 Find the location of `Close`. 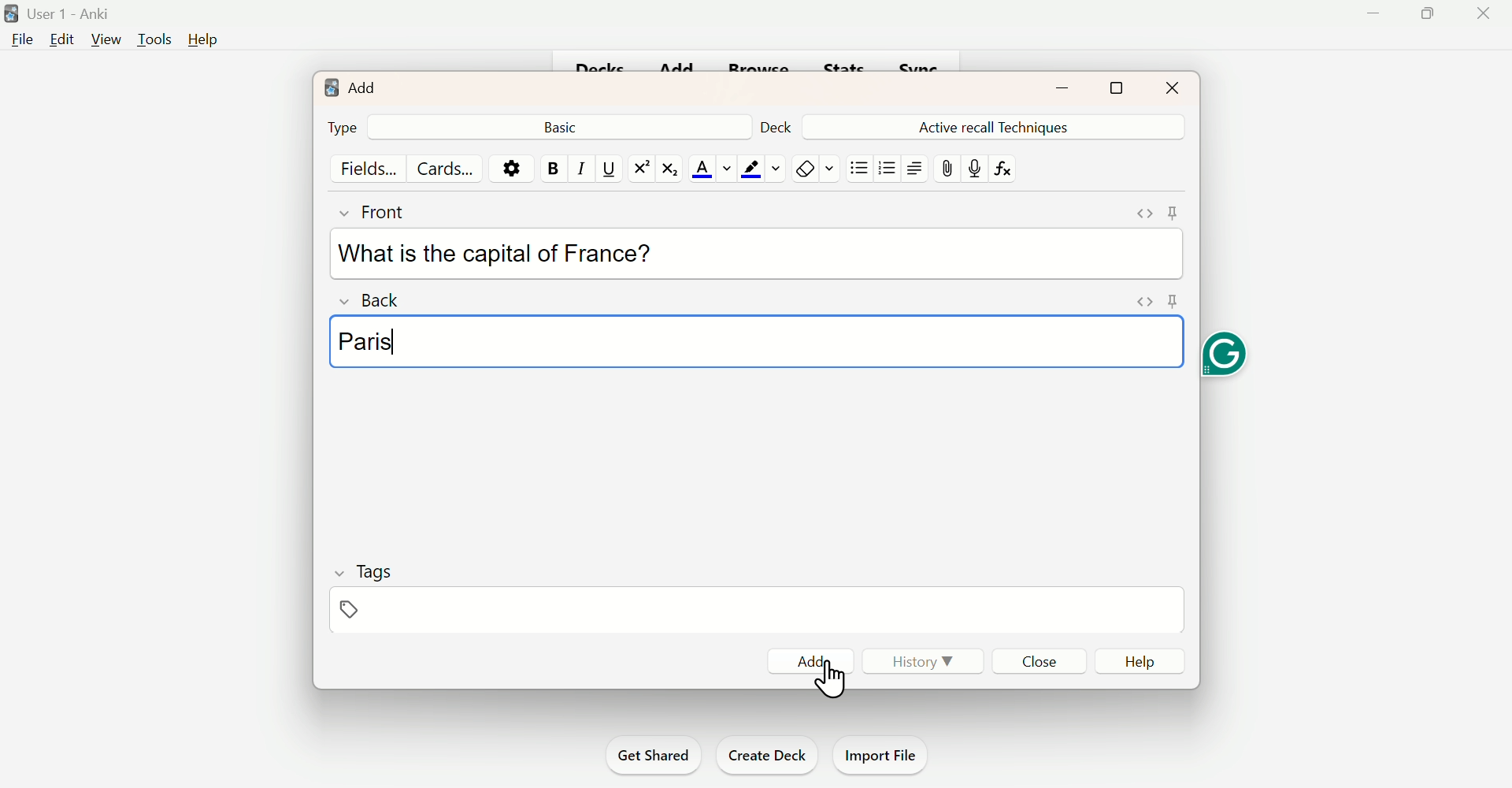

Close is located at coordinates (1169, 86).